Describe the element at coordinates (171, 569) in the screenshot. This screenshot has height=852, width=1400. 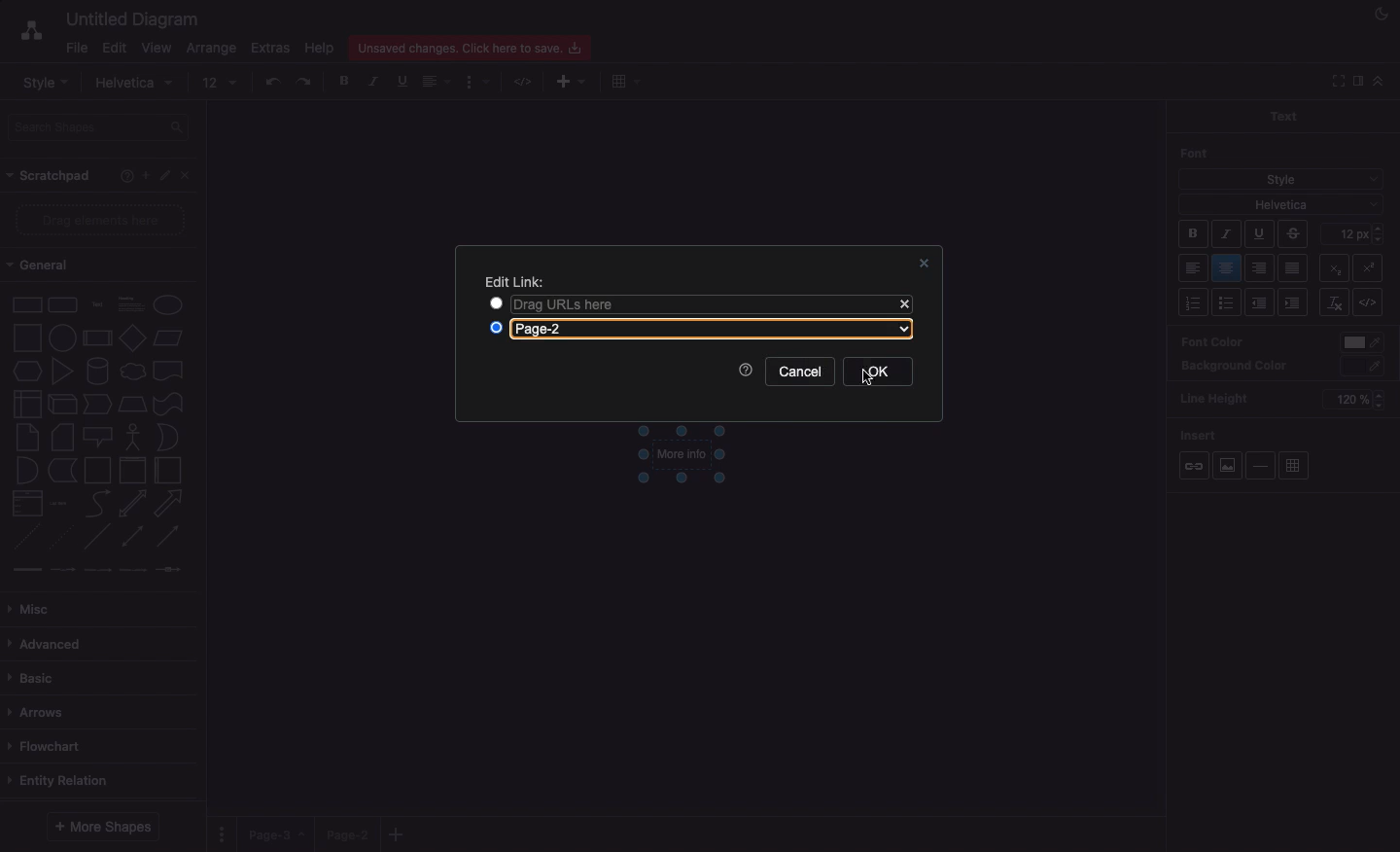
I see `connector with symbol` at that location.